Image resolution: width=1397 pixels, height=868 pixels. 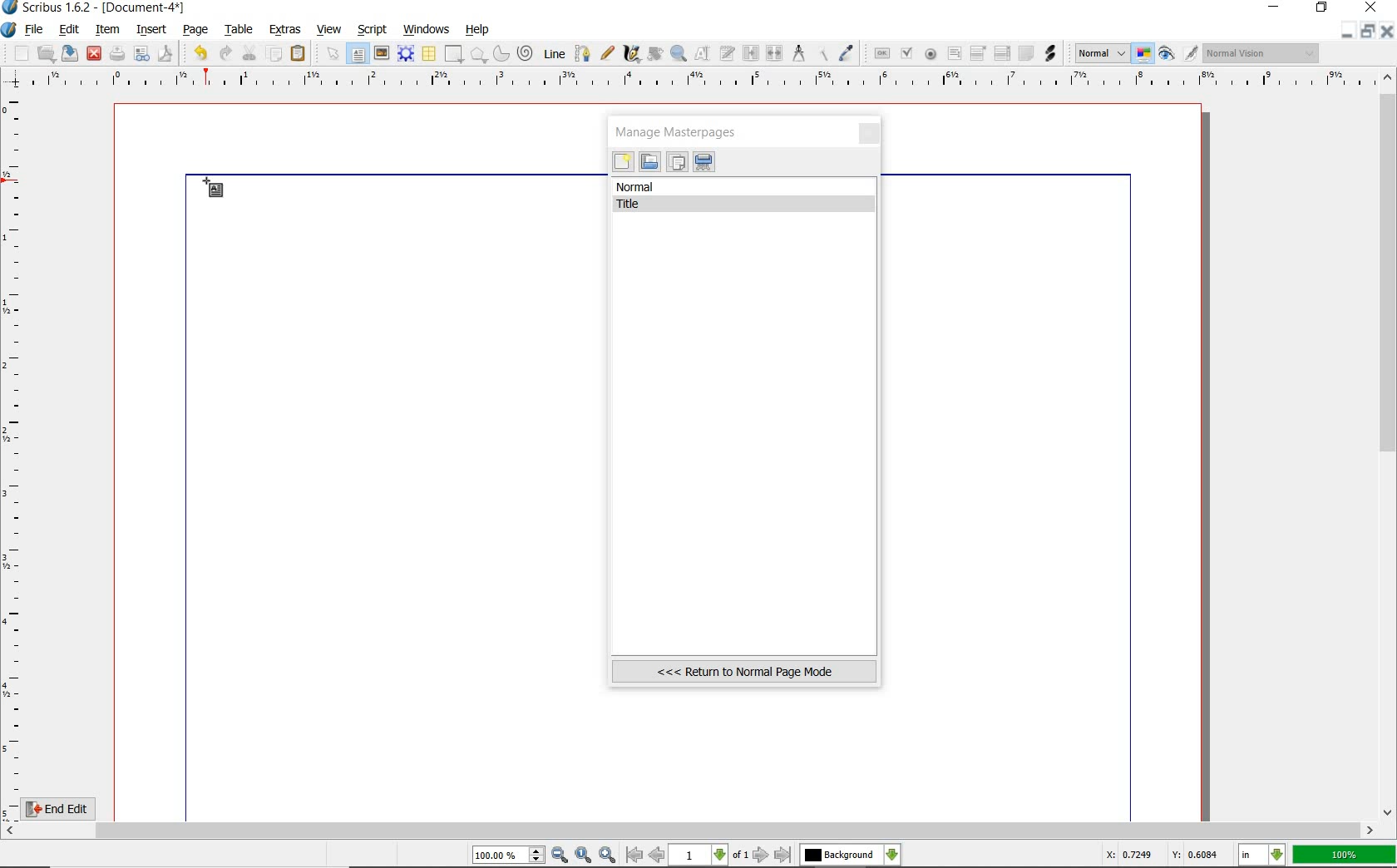 I want to click on scrollbar, so click(x=690, y=831).